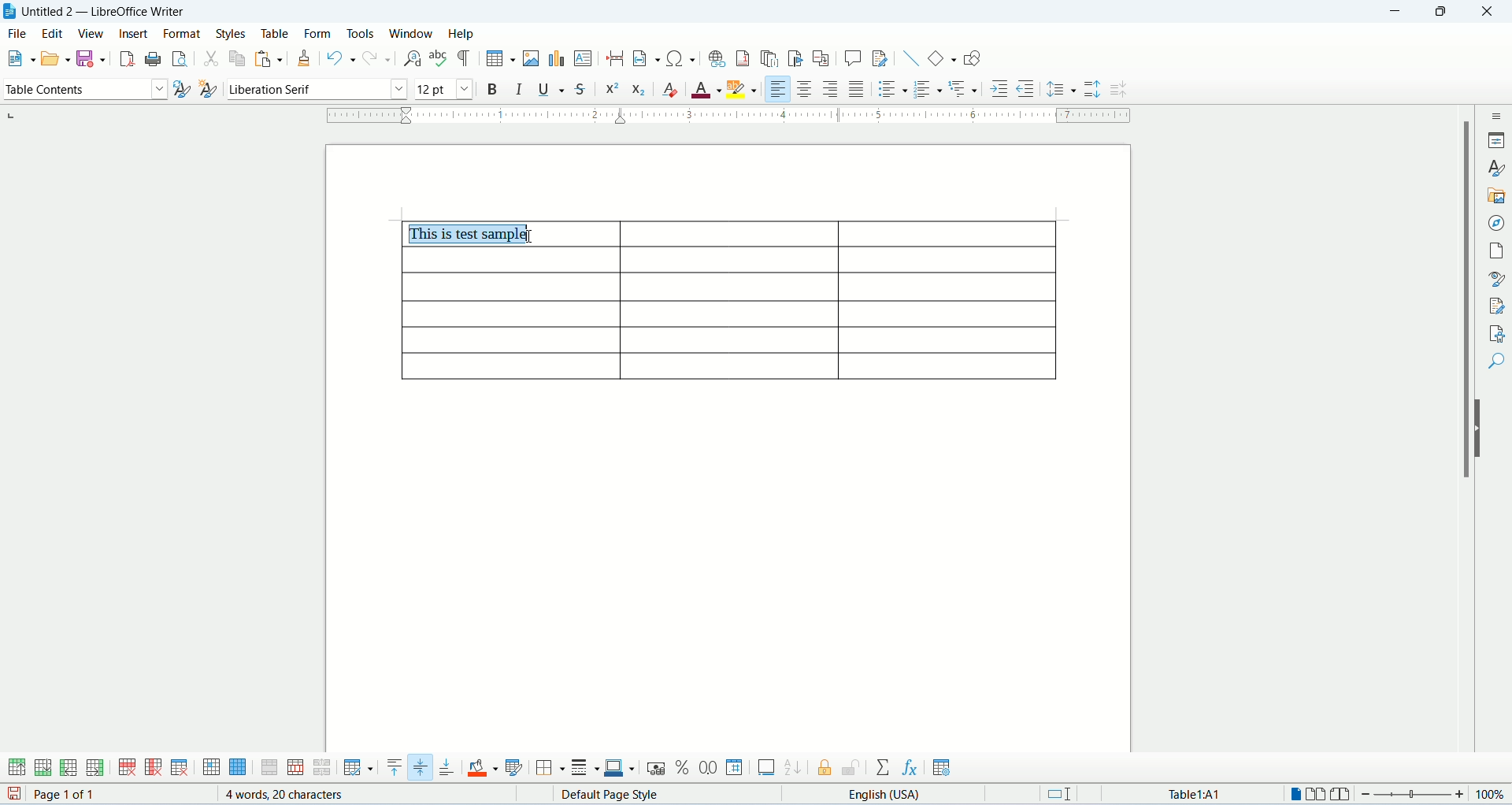 The height and width of the screenshot is (805, 1512). What do you see at coordinates (584, 59) in the screenshot?
I see `insert text box` at bounding box center [584, 59].